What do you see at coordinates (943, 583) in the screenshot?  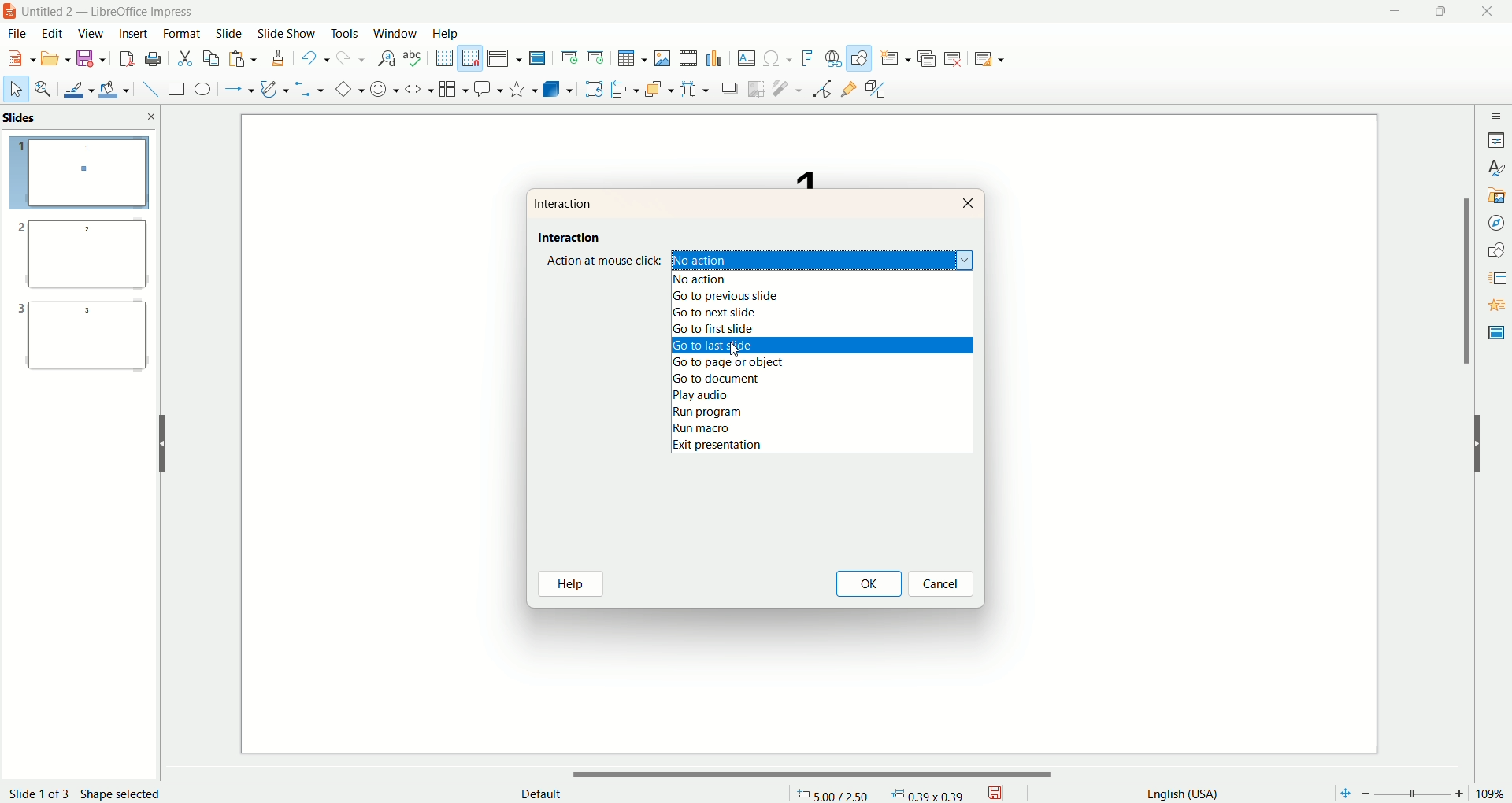 I see `cancel` at bounding box center [943, 583].